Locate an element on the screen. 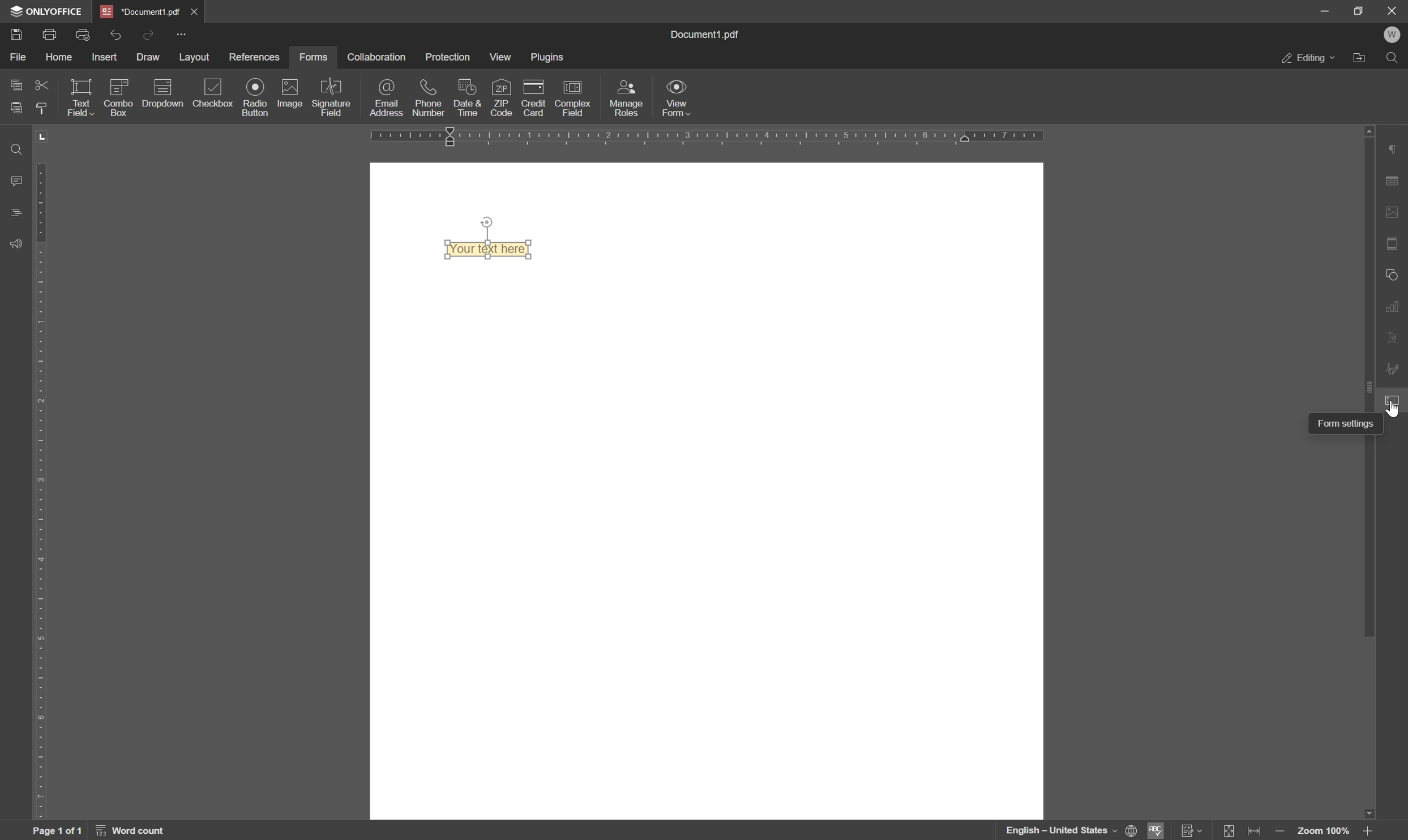 This screenshot has width=1408, height=840. checkbox is located at coordinates (217, 91).